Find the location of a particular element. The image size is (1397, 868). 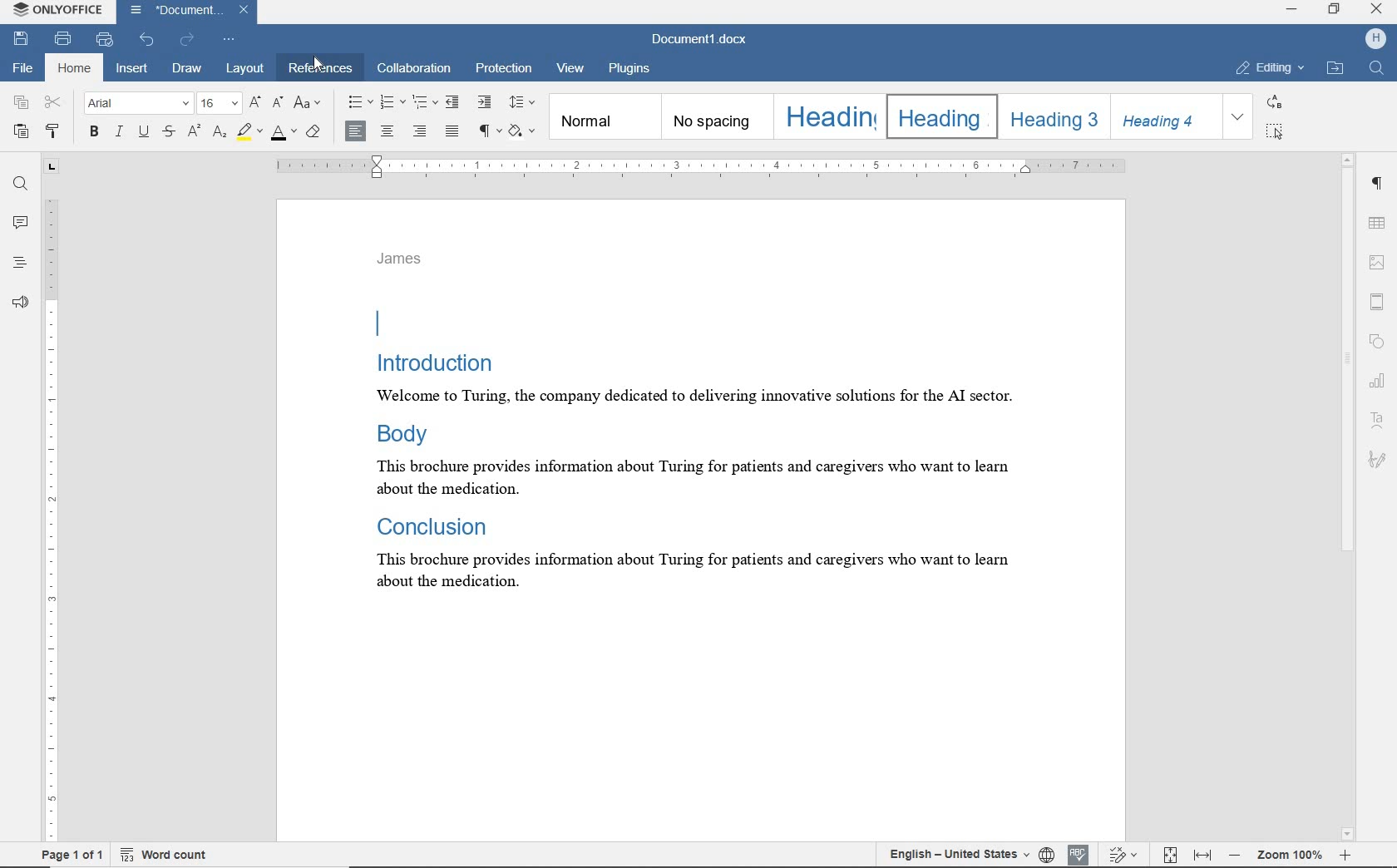

draw is located at coordinates (187, 70).